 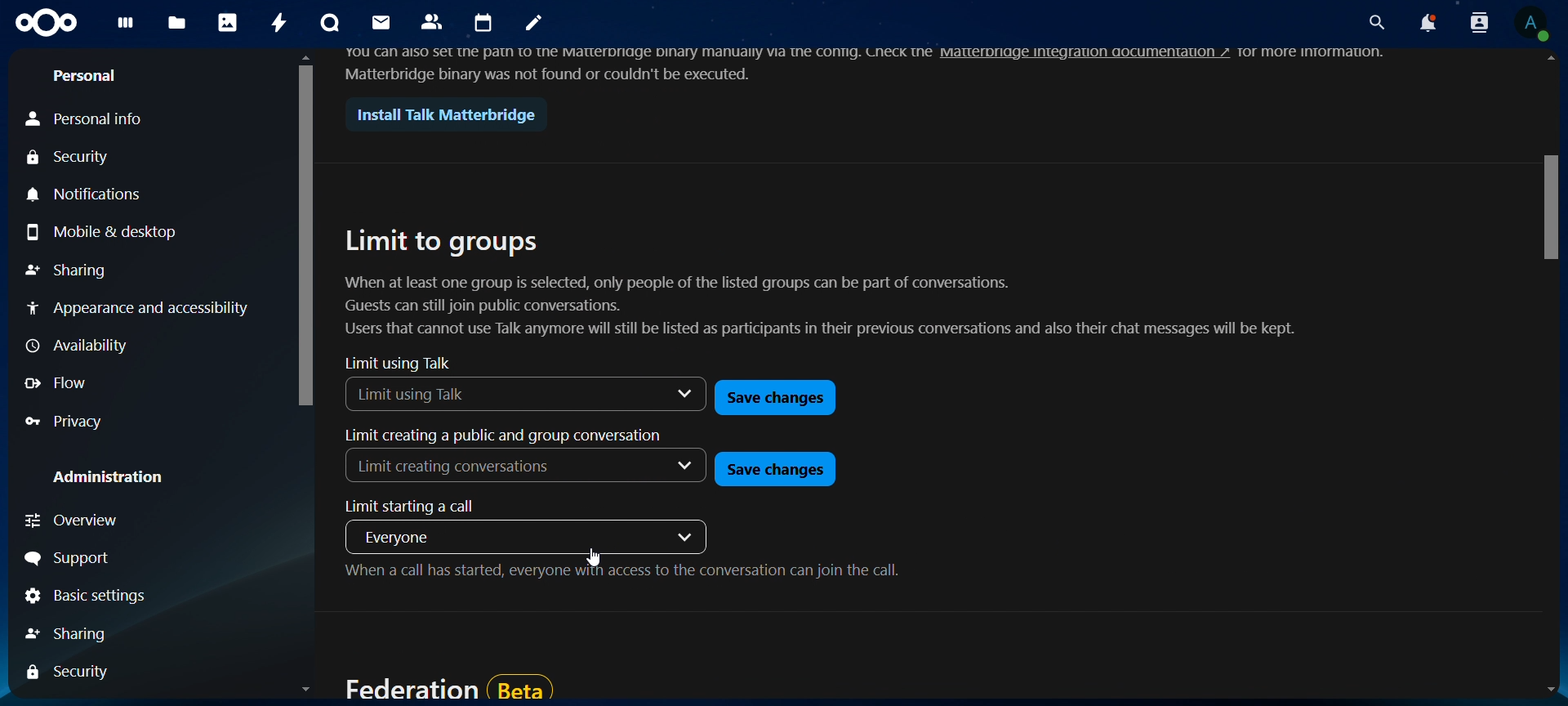 What do you see at coordinates (484, 23) in the screenshot?
I see `calendar` at bounding box center [484, 23].